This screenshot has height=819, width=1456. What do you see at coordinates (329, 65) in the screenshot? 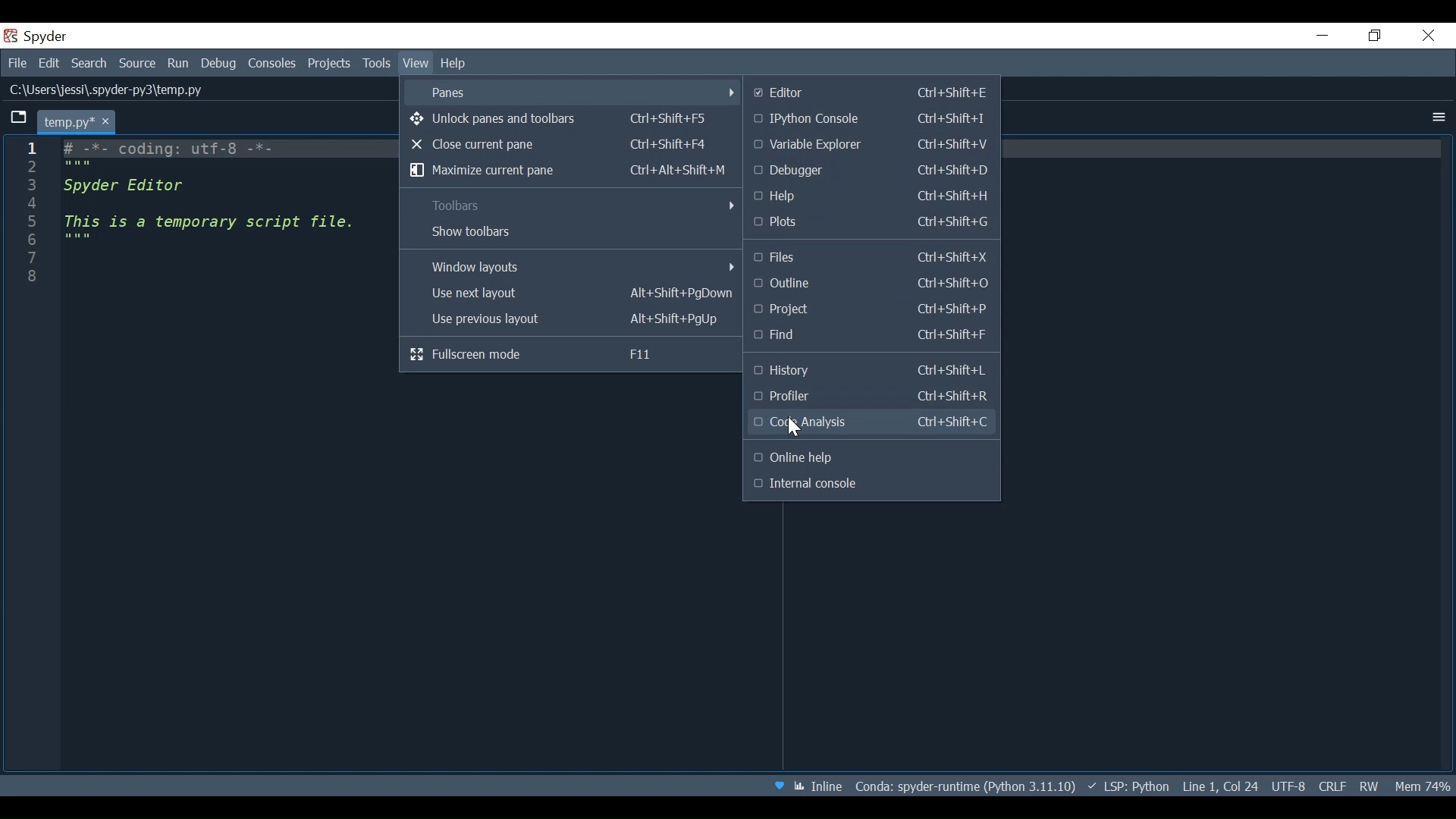
I see `Projects` at bounding box center [329, 65].